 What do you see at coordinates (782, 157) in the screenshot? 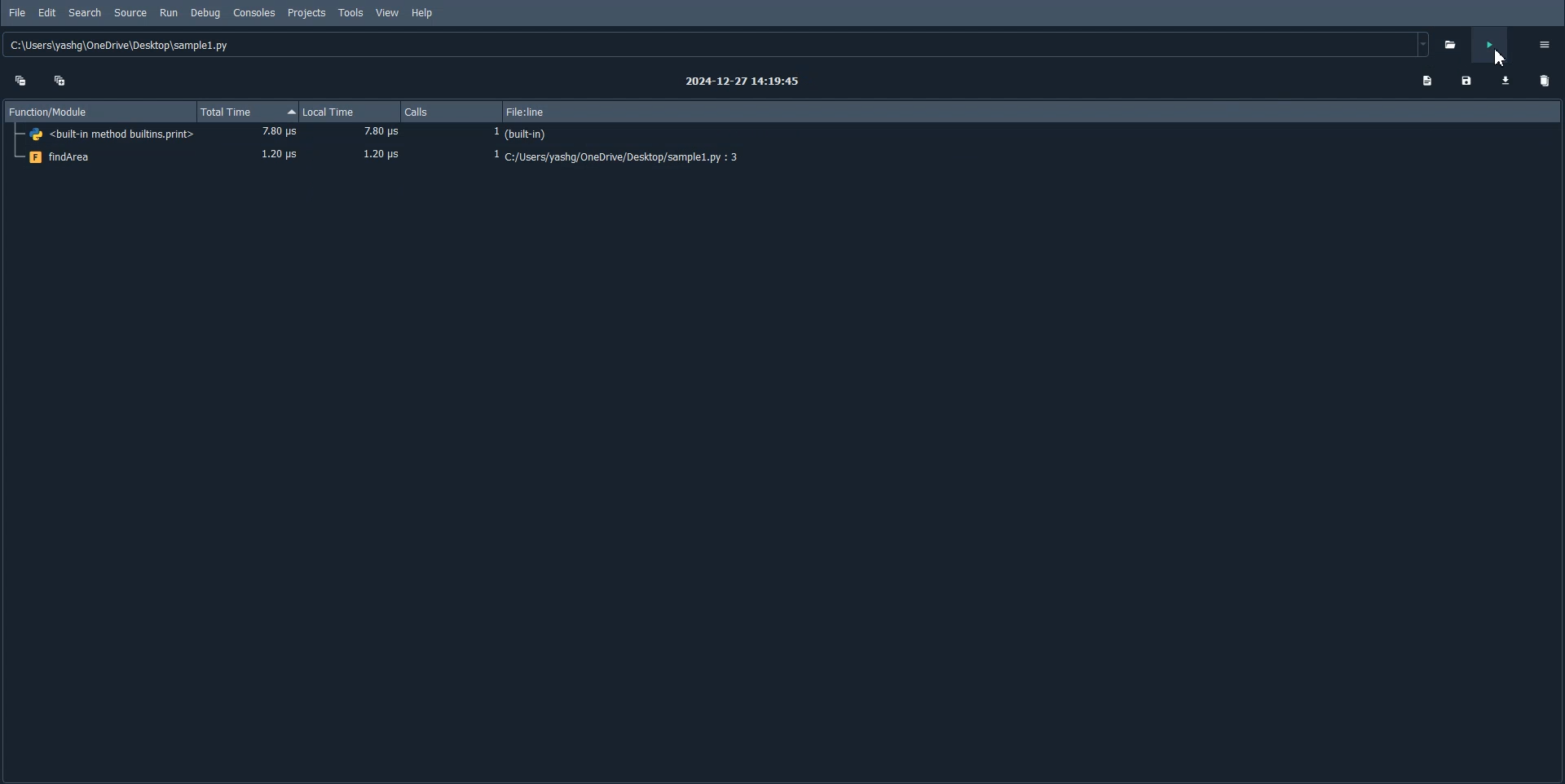
I see `findArea file` at bounding box center [782, 157].